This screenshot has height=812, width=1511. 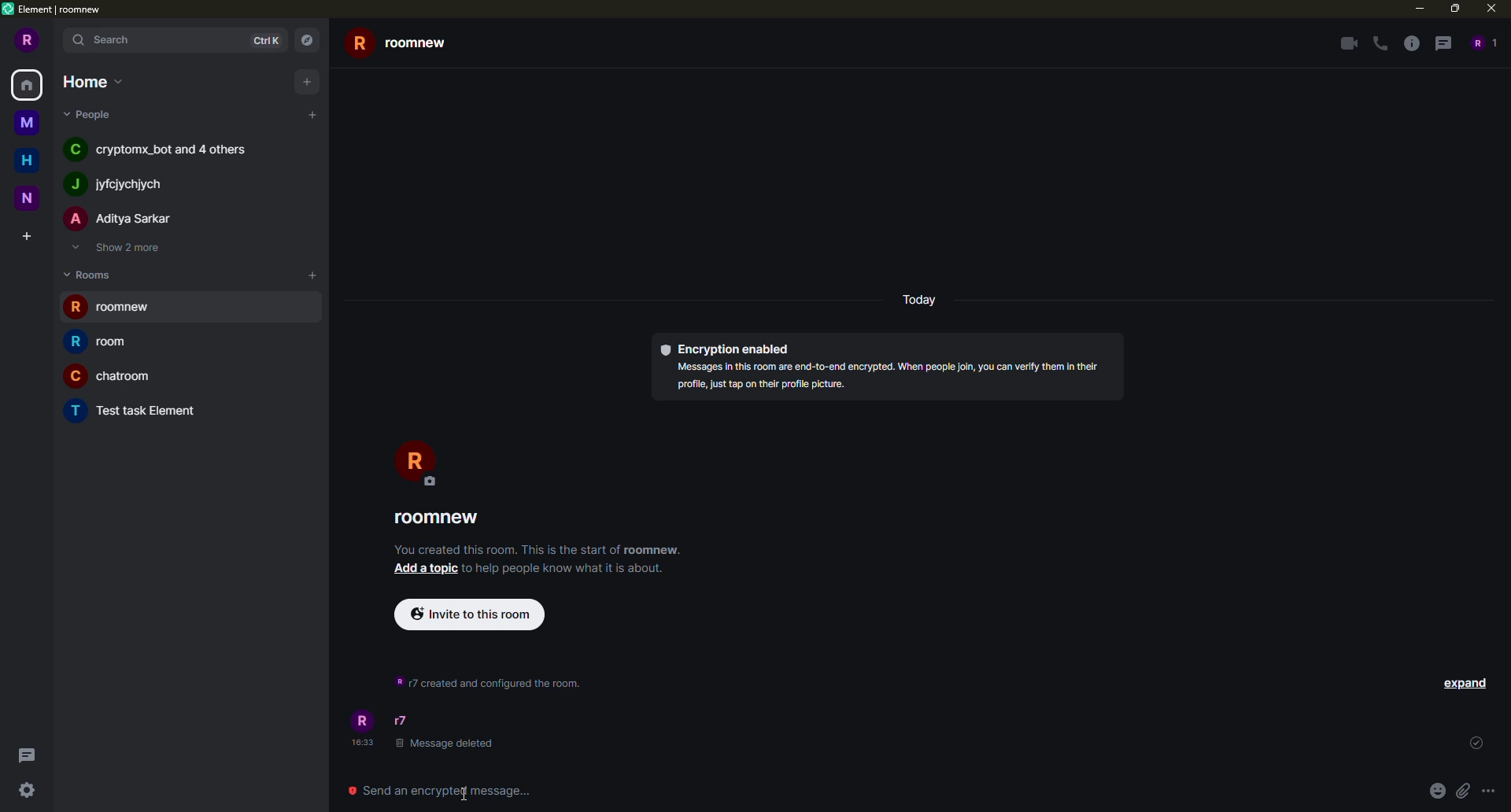 I want to click on more, so click(x=1488, y=789).